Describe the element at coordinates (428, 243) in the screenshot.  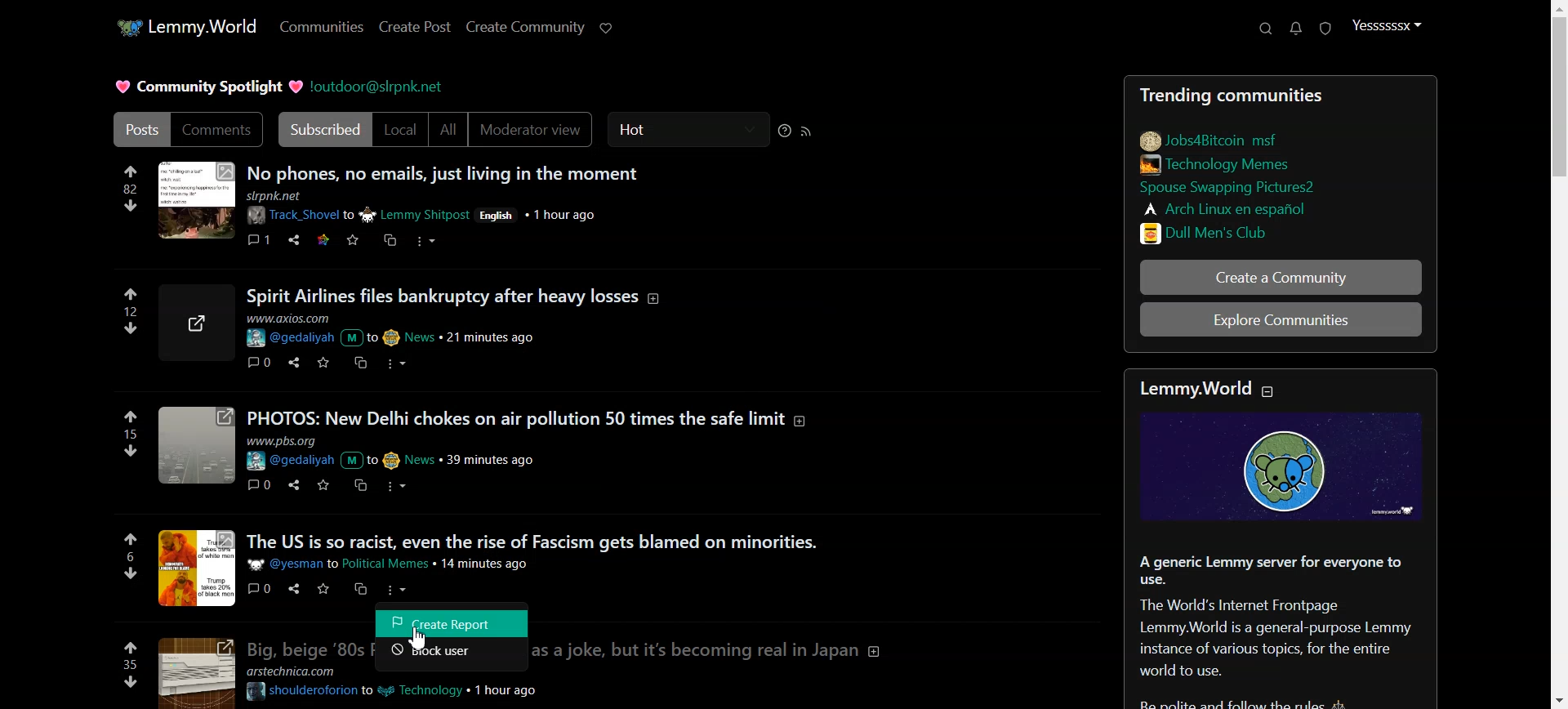
I see `more` at that location.